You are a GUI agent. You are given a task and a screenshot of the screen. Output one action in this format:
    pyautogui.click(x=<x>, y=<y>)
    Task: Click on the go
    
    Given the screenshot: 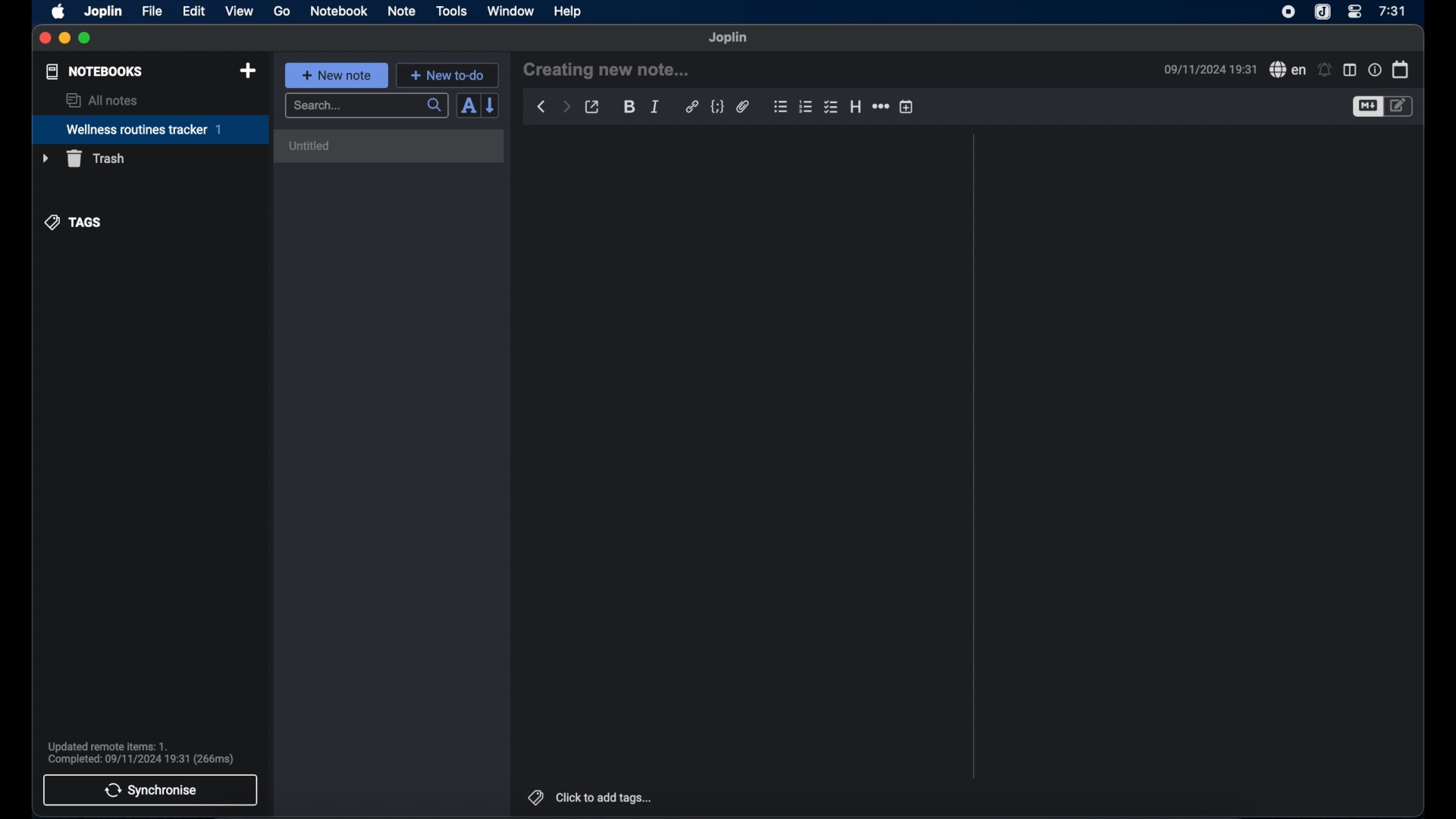 What is the action you would take?
    pyautogui.click(x=282, y=11)
    